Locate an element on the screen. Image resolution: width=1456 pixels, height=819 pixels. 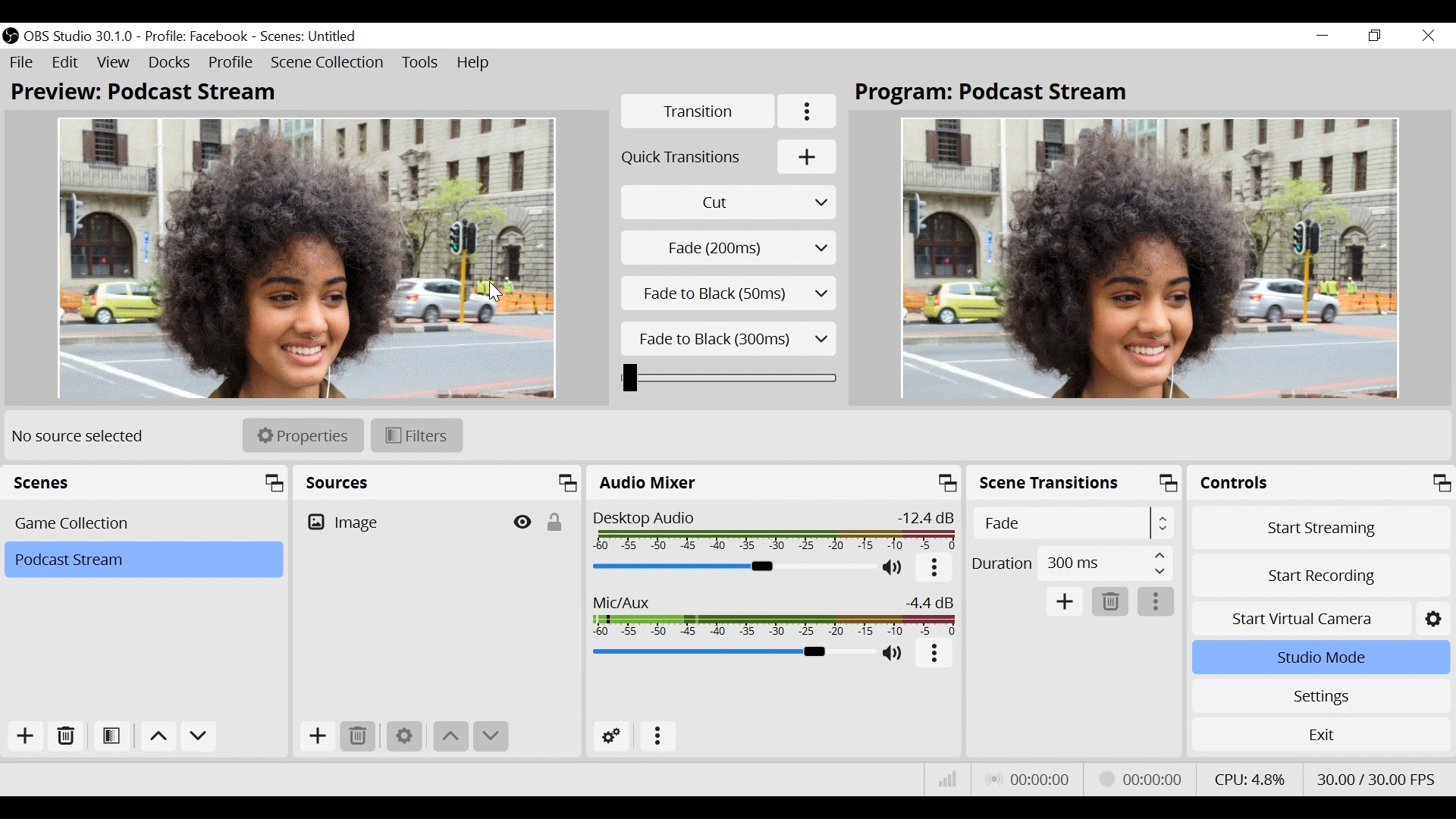
Studio Mode is located at coordinates (1319, 658).